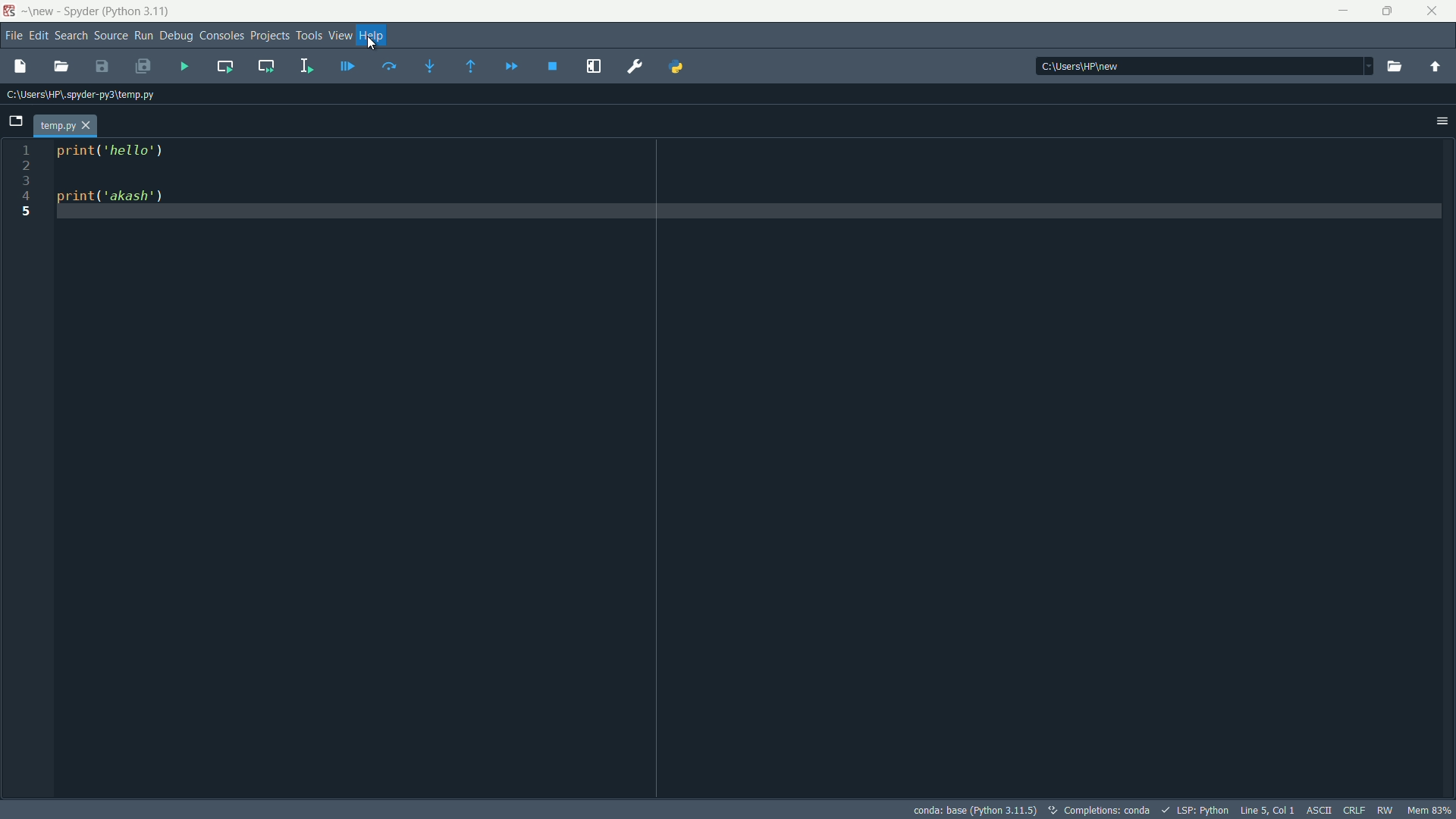 This screenshot has width=1456, height=819. Describe the element at coordinates (184, 67) in the screenshot. I see `run file` at that location.